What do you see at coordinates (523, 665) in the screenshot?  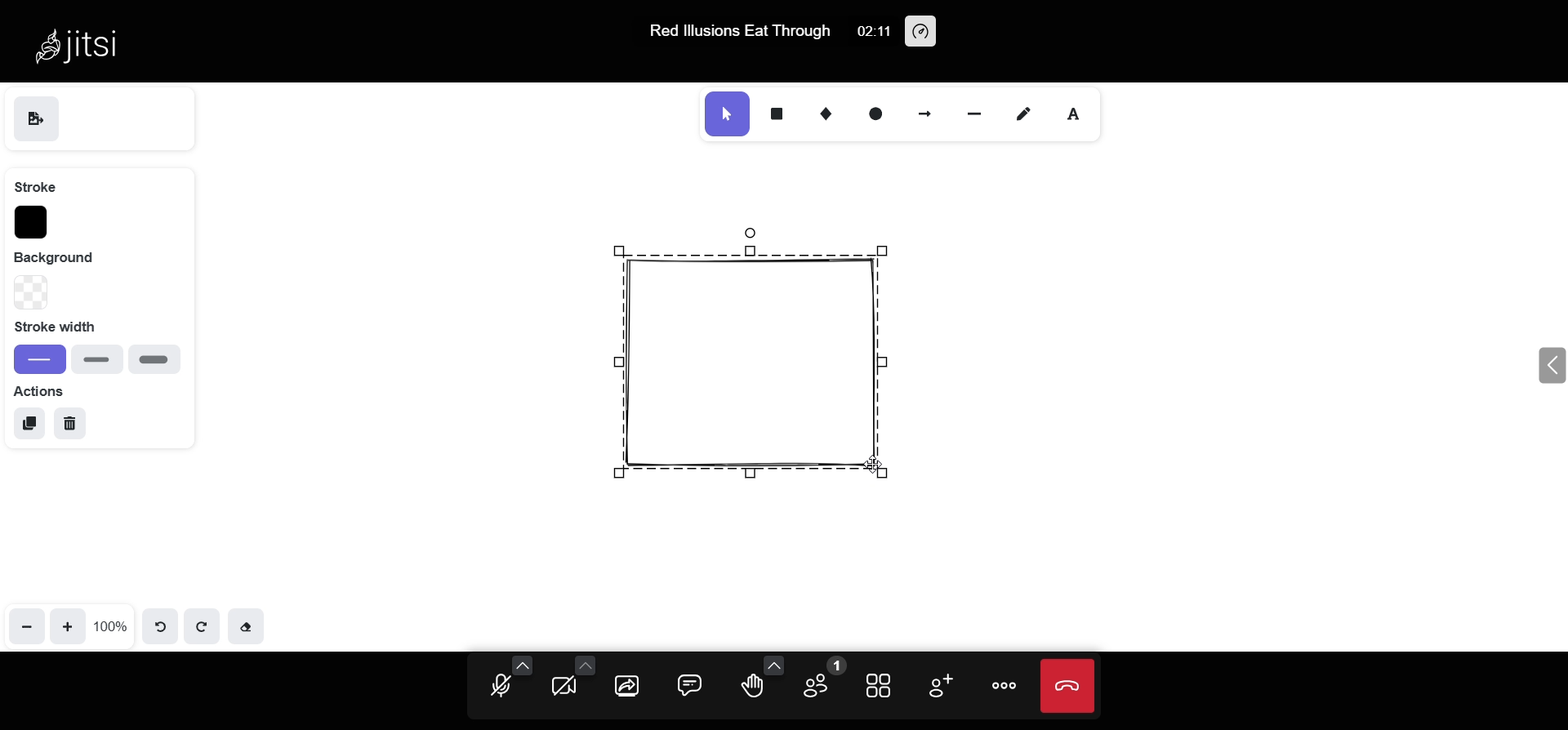 I see `more audio options` at bounding box center [523, 665].